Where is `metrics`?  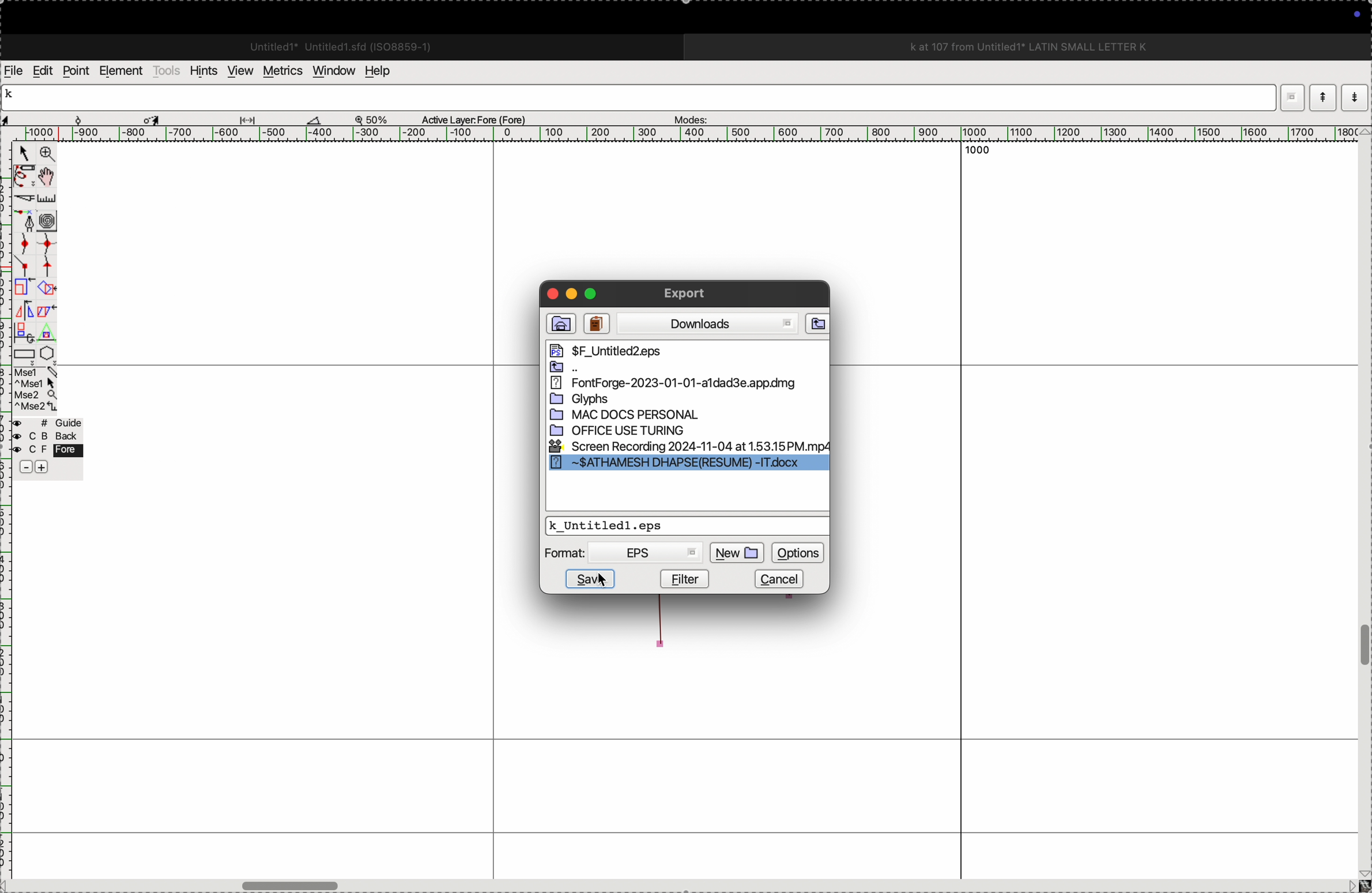
metrics is located at coordinates (281, 71).